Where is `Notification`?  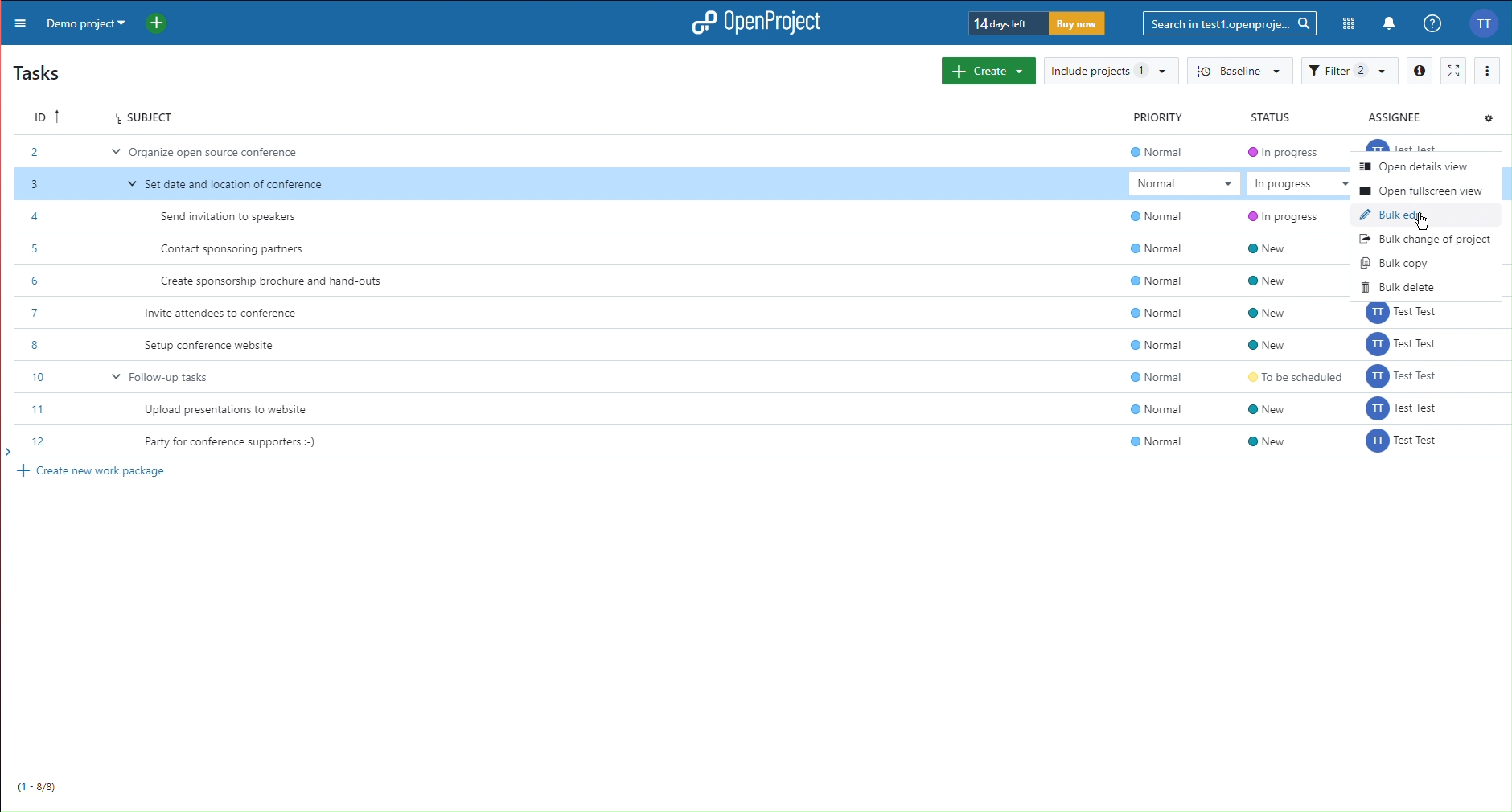
Notification is located at coordinates (1390, 25).